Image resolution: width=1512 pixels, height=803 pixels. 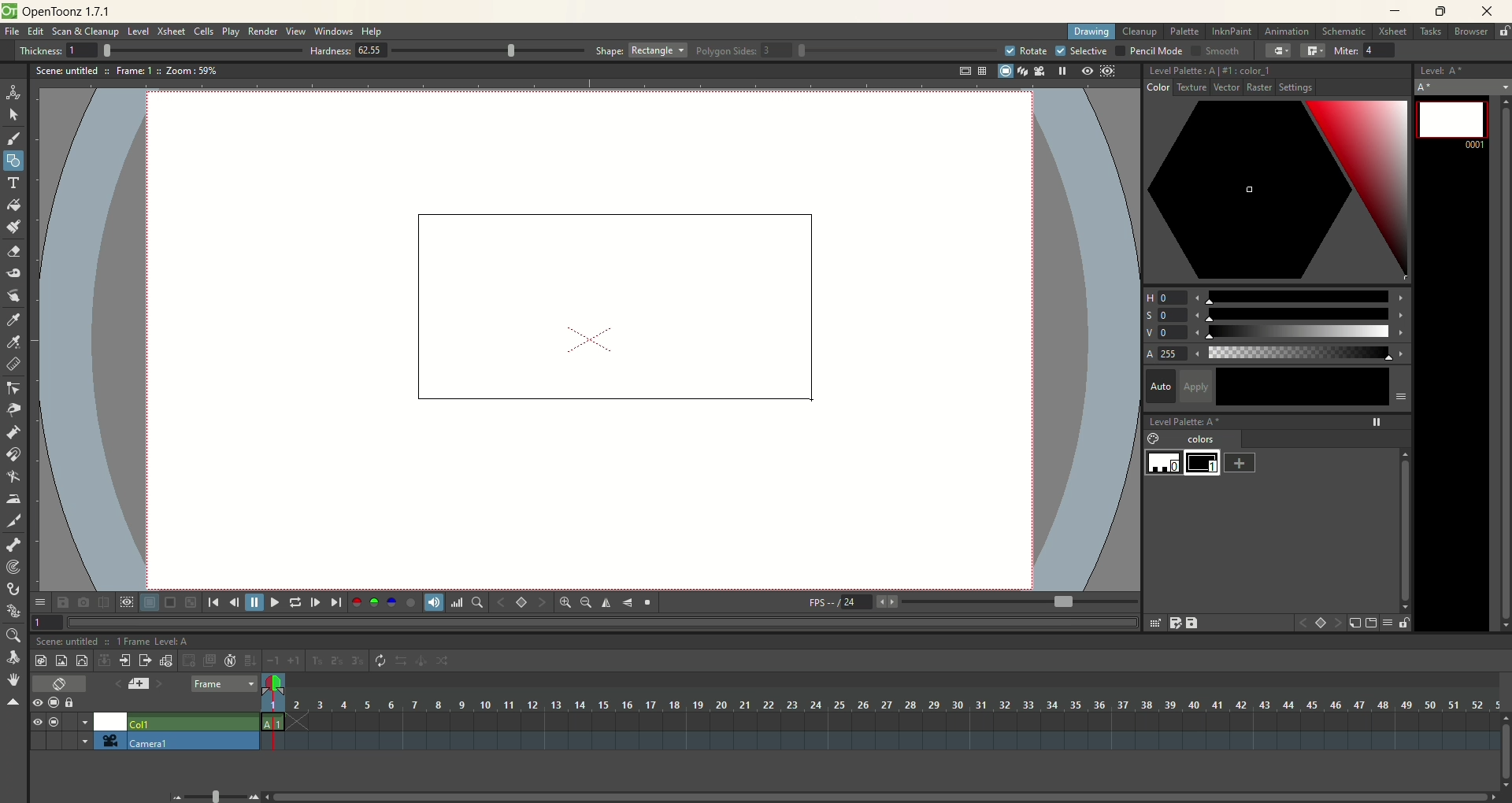 I want to click on lock toggle, so click(x=76, y=702).